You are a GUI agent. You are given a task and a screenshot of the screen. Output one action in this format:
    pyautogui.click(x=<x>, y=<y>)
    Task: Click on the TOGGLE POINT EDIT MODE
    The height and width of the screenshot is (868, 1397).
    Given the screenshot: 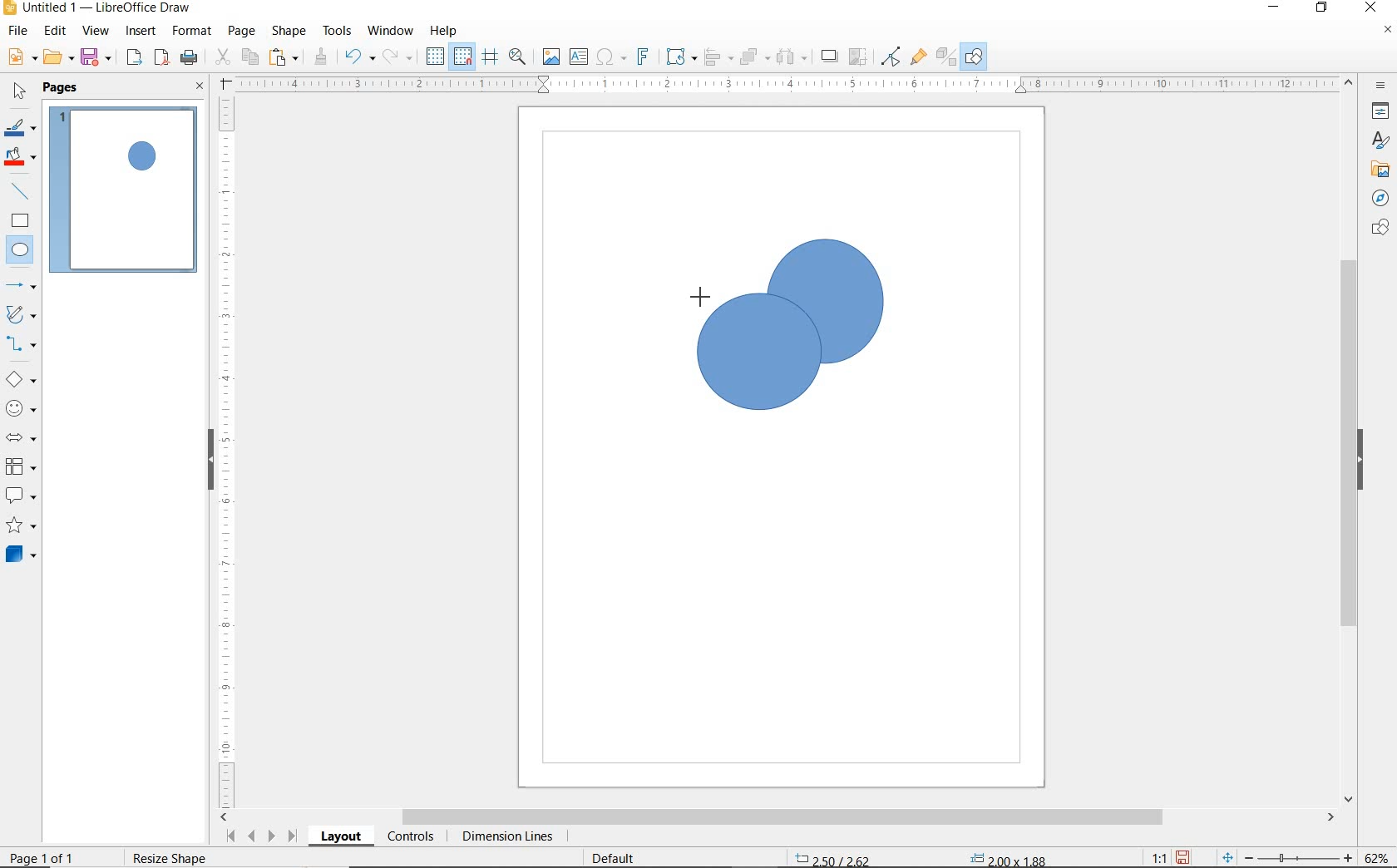 What is the action you would take?
    pyautogui.click(x=891, y=57)
    